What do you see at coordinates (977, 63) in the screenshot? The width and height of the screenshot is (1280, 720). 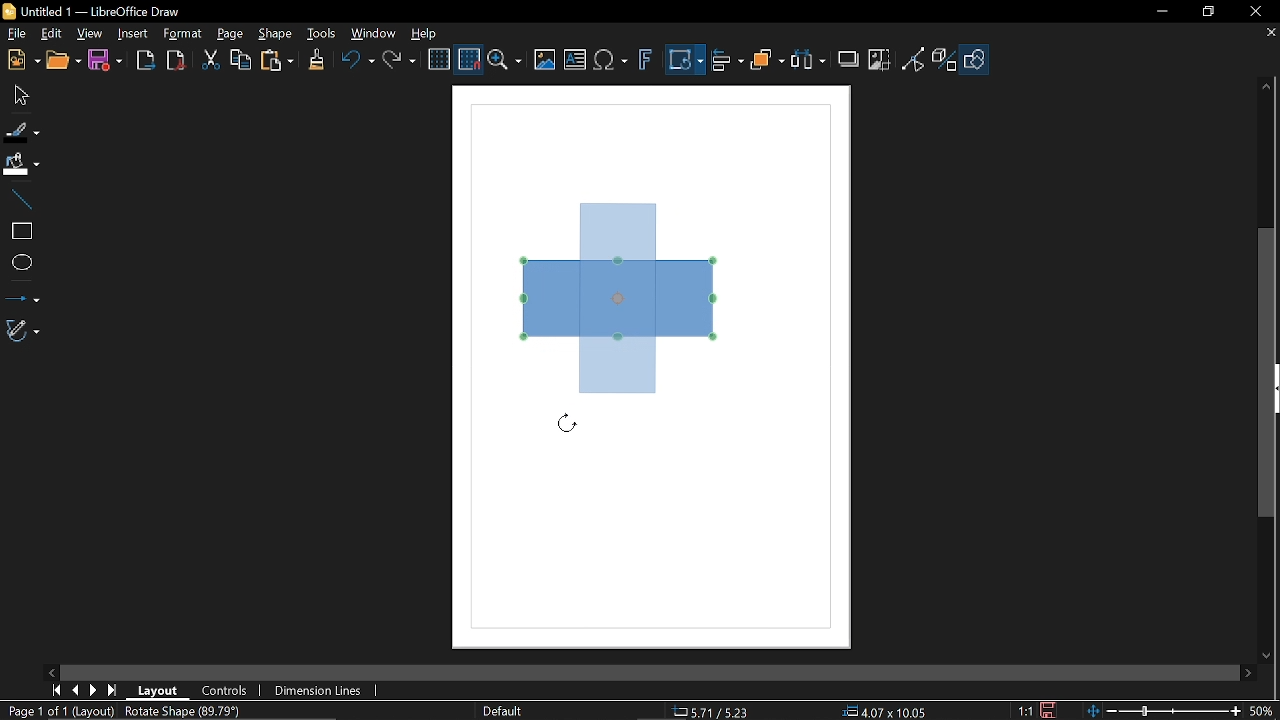 I see `Shape` at bounding box center [977, 63].